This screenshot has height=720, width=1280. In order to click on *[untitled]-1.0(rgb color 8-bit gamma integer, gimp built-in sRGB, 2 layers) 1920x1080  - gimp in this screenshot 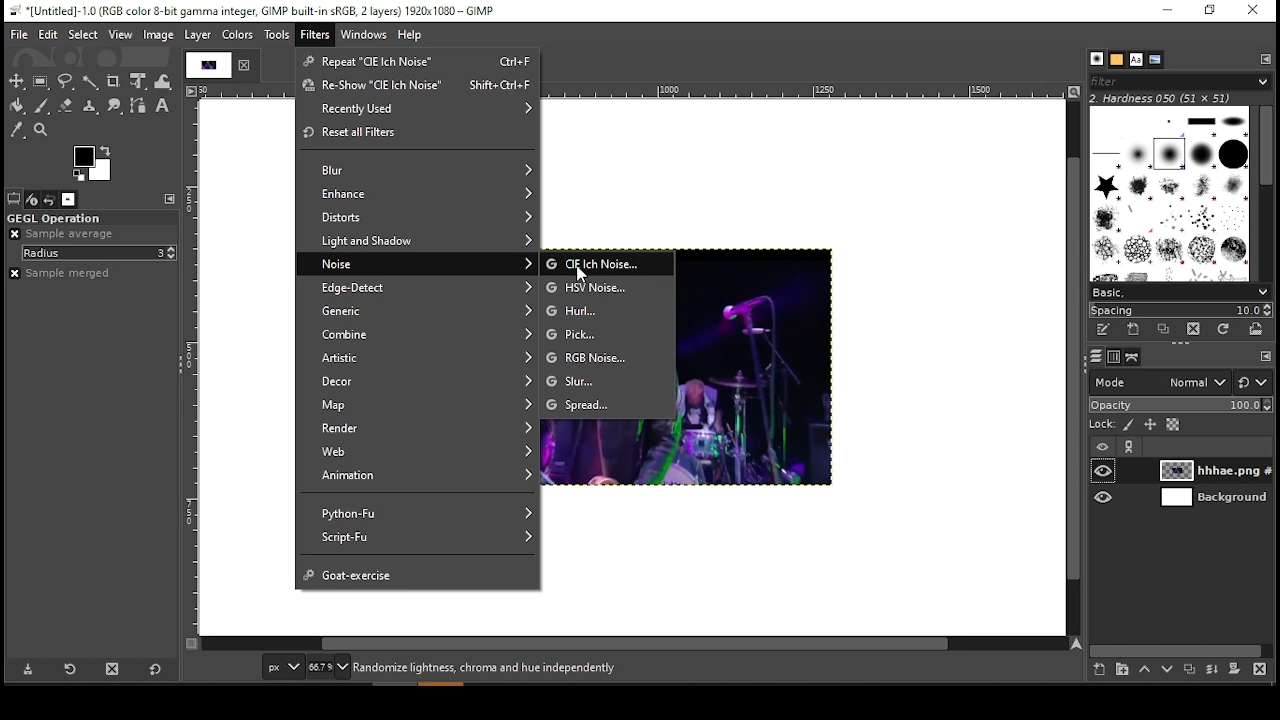, I will do `click(253, 10)`.